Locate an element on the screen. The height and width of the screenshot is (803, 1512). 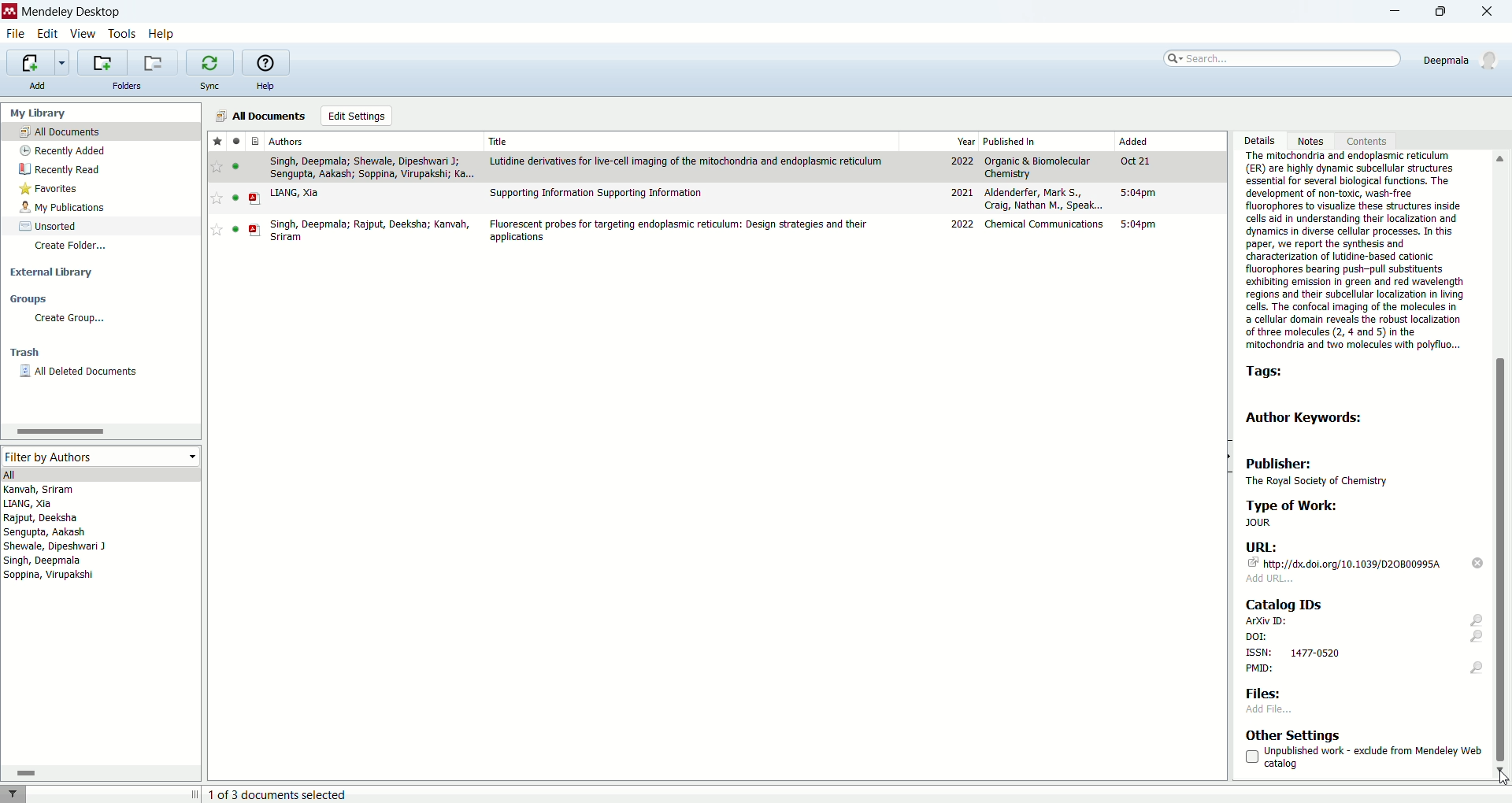
author keywords:  is located at coordinates (1308, 417).